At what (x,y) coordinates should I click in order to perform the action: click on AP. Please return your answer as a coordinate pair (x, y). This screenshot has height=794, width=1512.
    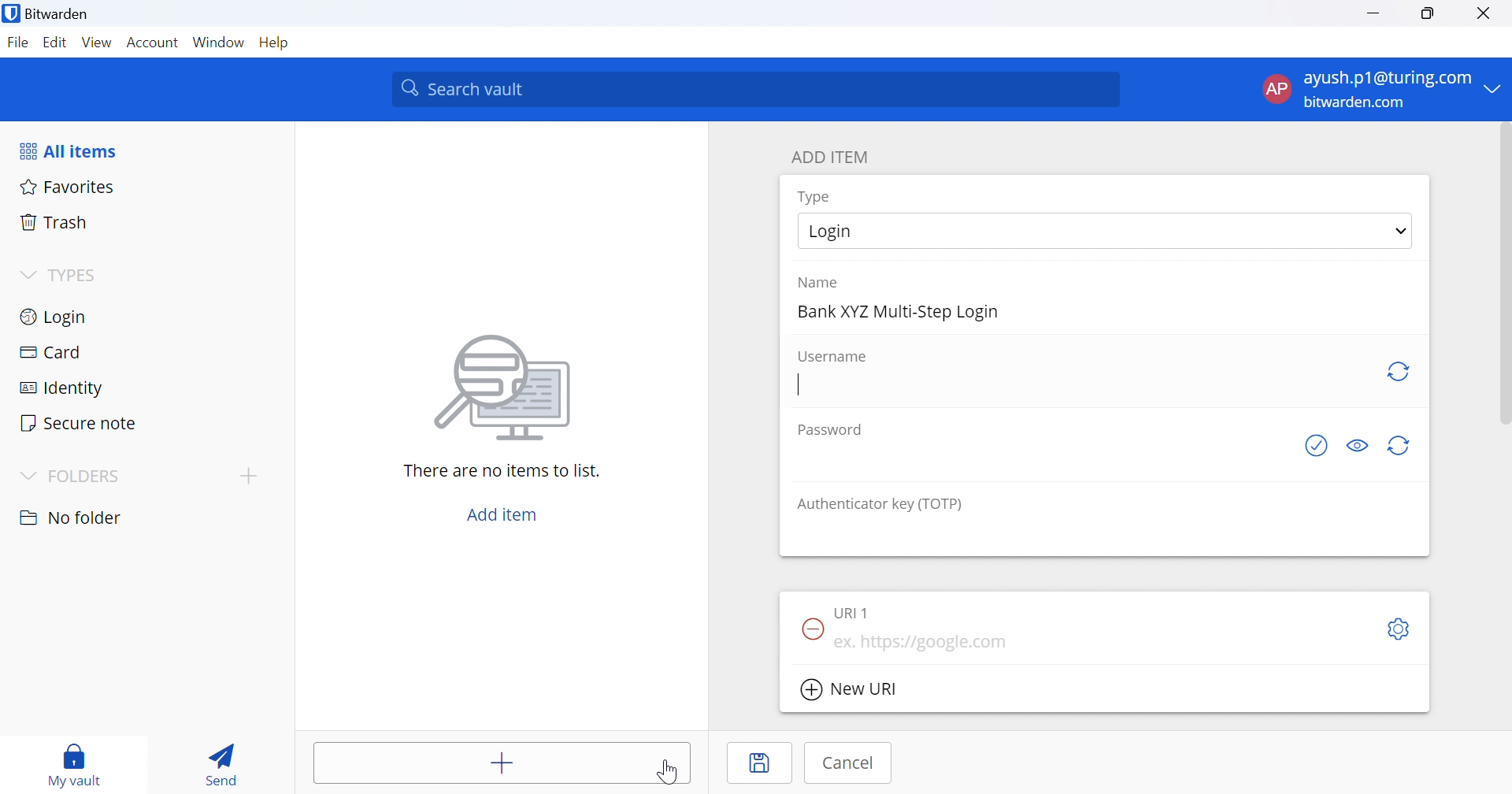
    Looking at the image, I should click on (1275, 88).